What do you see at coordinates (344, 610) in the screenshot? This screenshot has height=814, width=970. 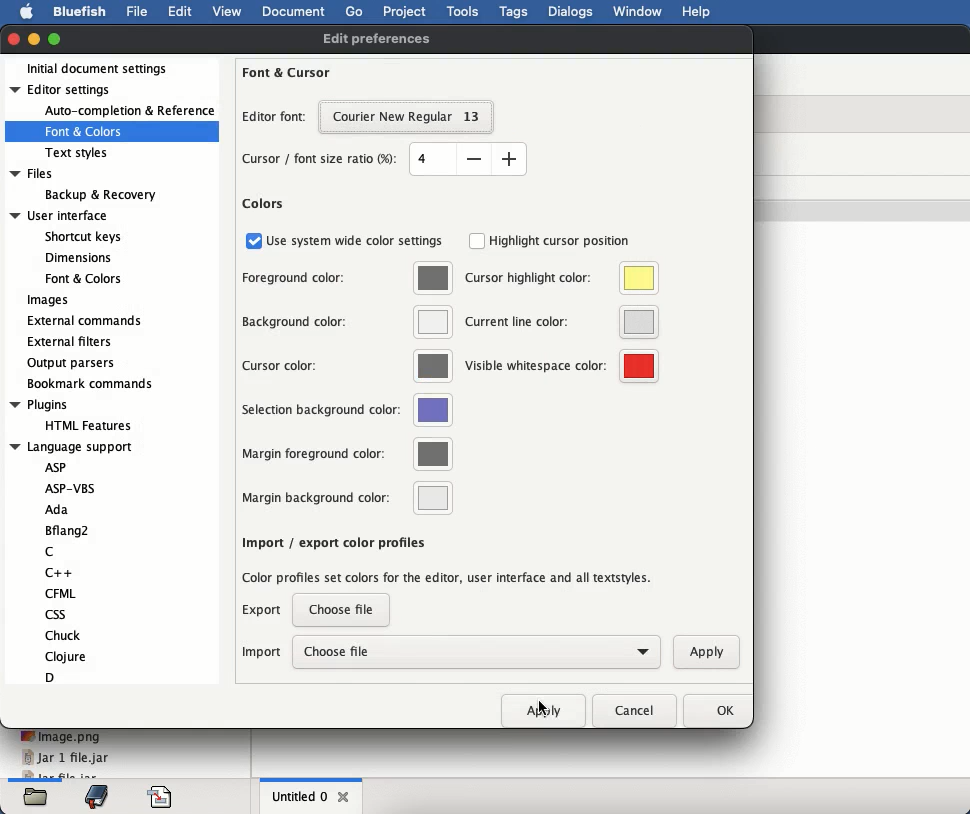 I see `choose file` at bounding box center [344, 610].